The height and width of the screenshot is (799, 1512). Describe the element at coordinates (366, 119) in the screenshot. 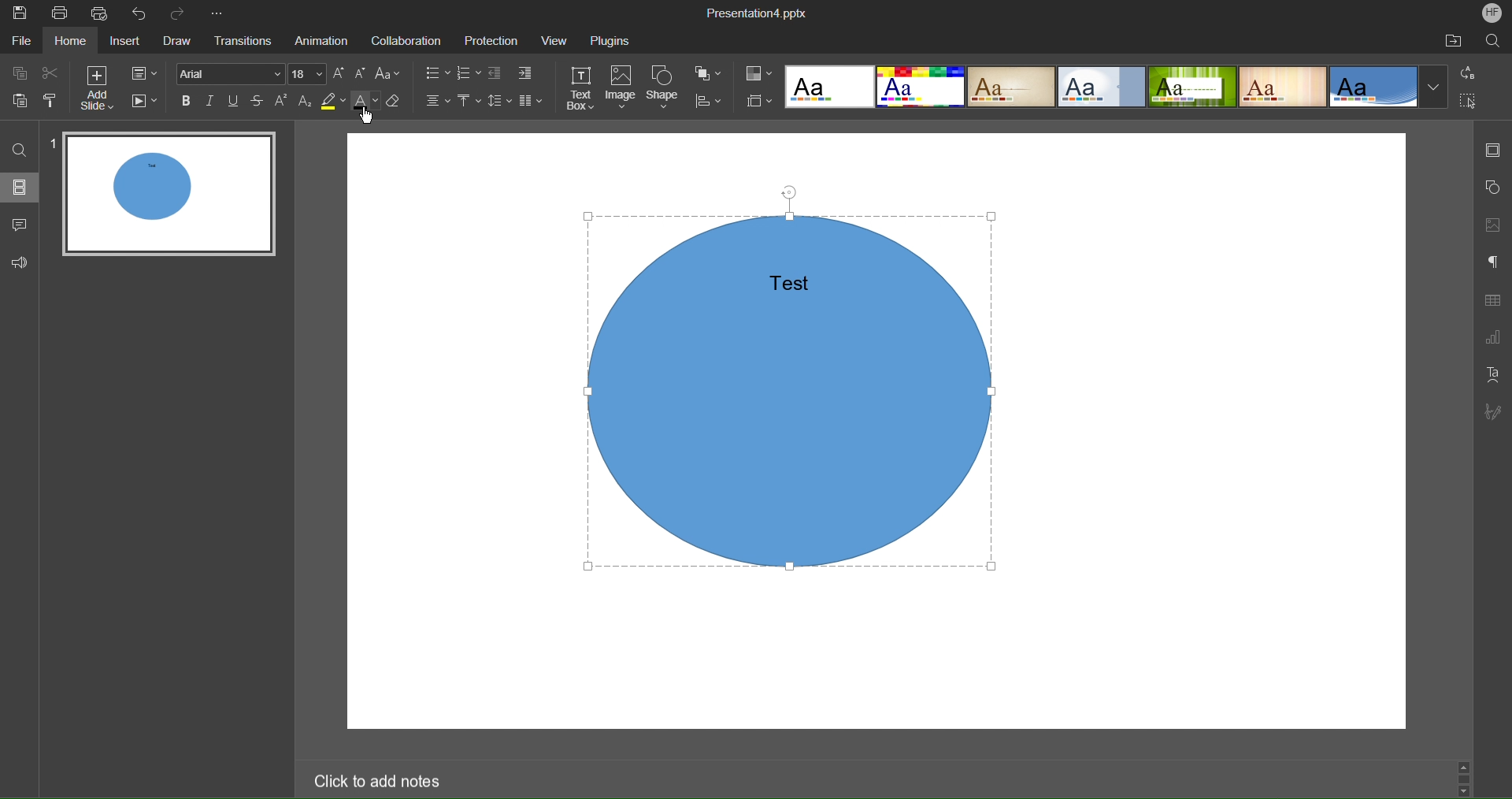

I see `Cursor` at that location.